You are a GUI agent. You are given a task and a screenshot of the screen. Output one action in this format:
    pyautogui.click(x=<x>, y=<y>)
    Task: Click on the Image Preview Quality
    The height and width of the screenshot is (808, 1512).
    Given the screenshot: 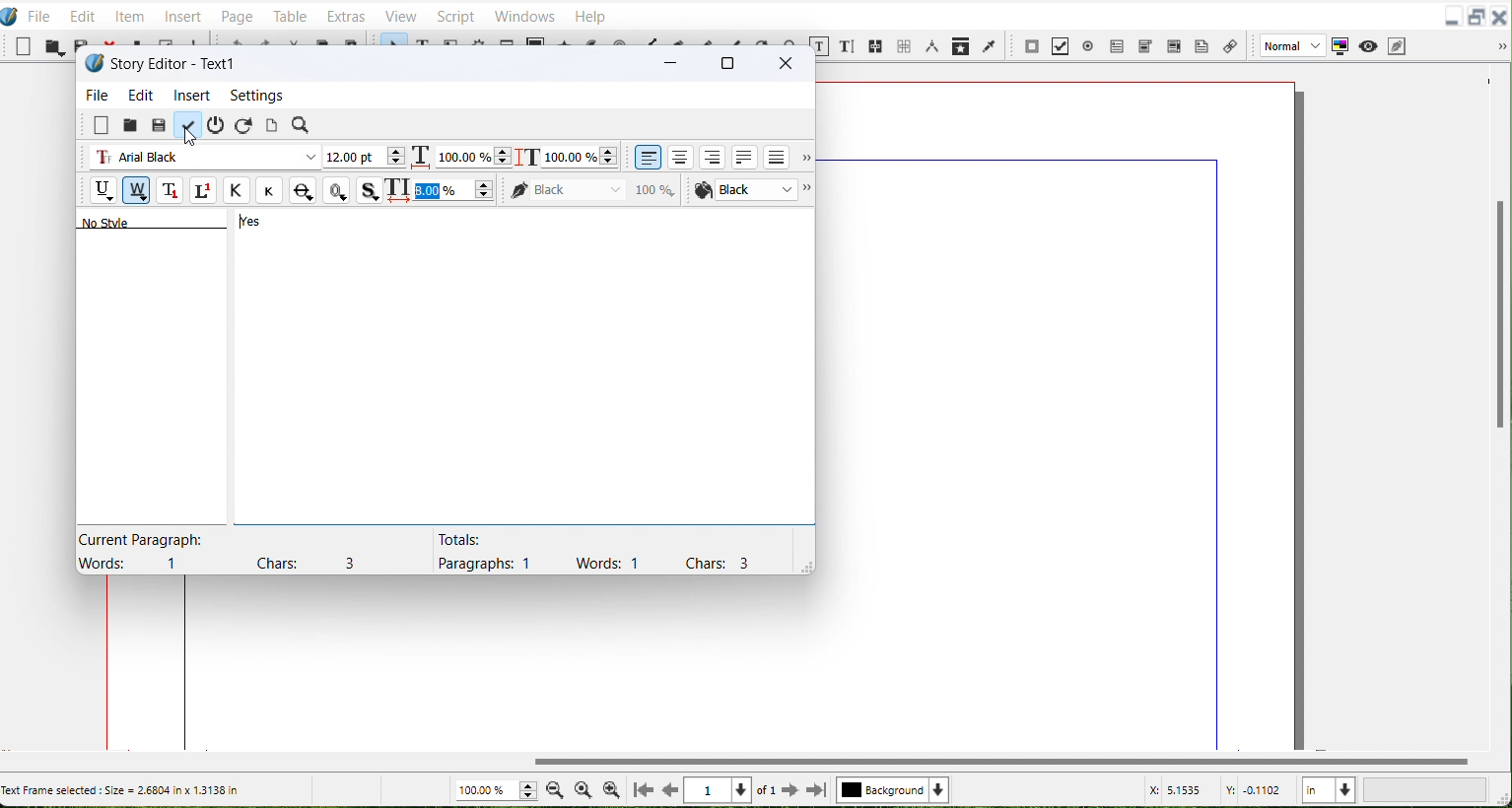 What is the action you would take?
    pyautogui.click(x=1290, y=45)
    